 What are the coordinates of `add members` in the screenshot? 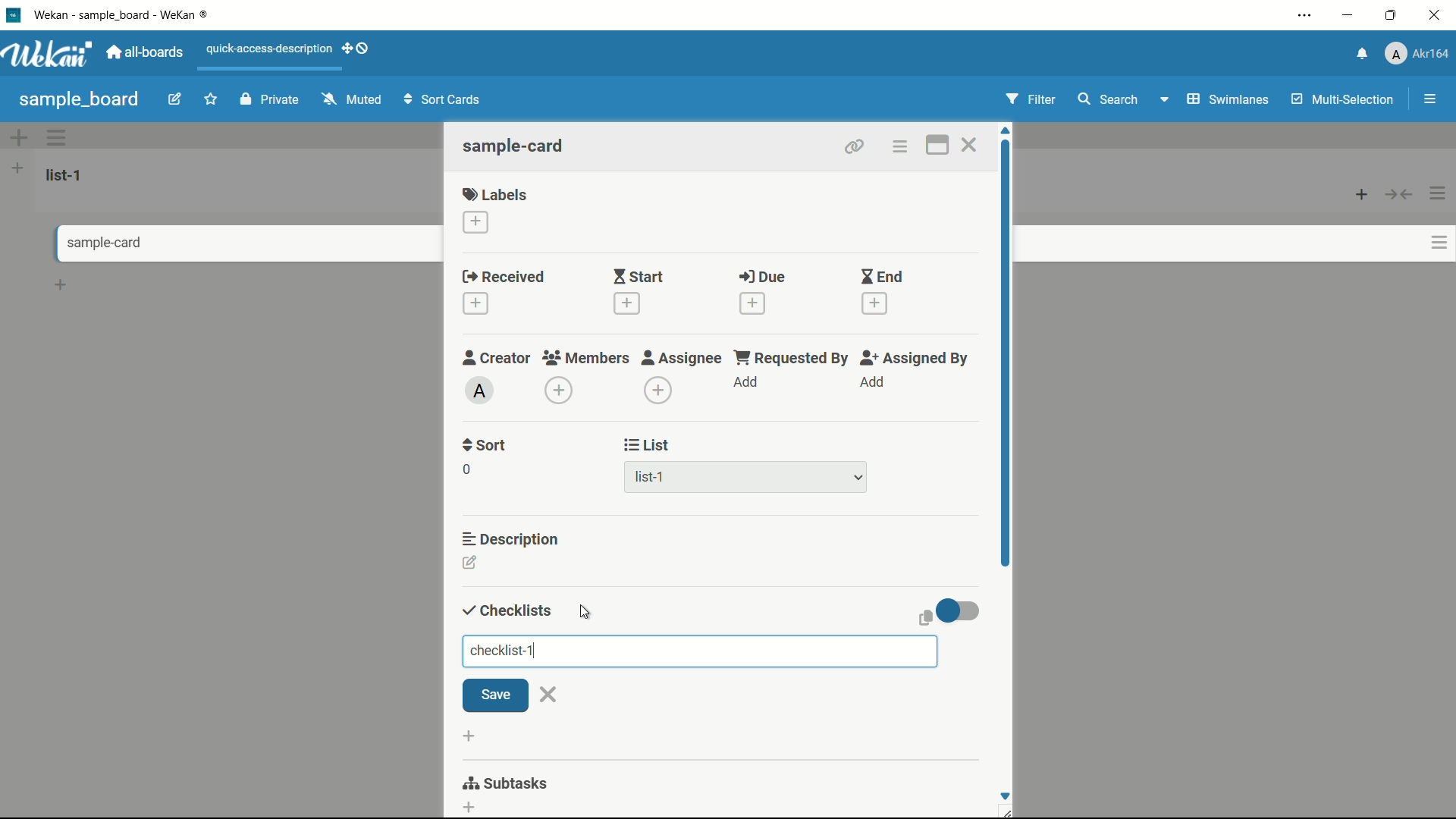 It's located at (561, 392).